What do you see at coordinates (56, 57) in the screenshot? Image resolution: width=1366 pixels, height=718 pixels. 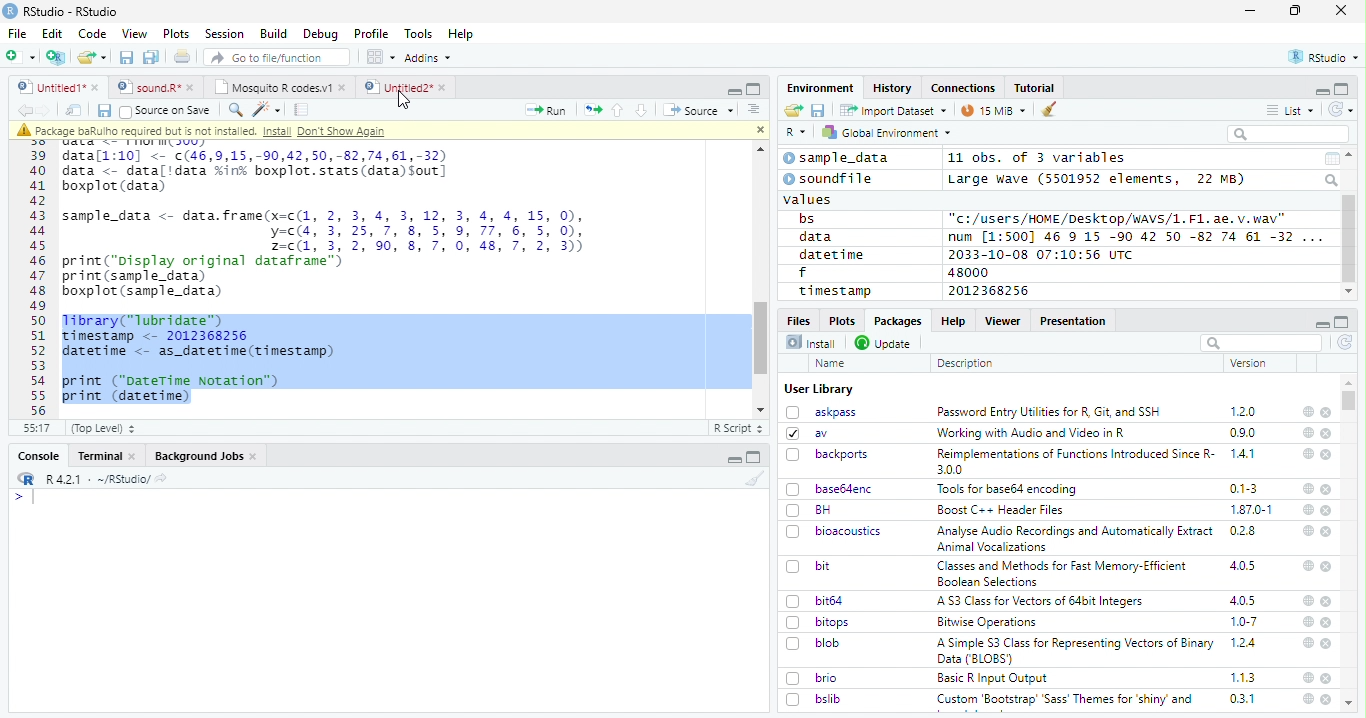 I see `Create a project` at bounding box center [56, 57].